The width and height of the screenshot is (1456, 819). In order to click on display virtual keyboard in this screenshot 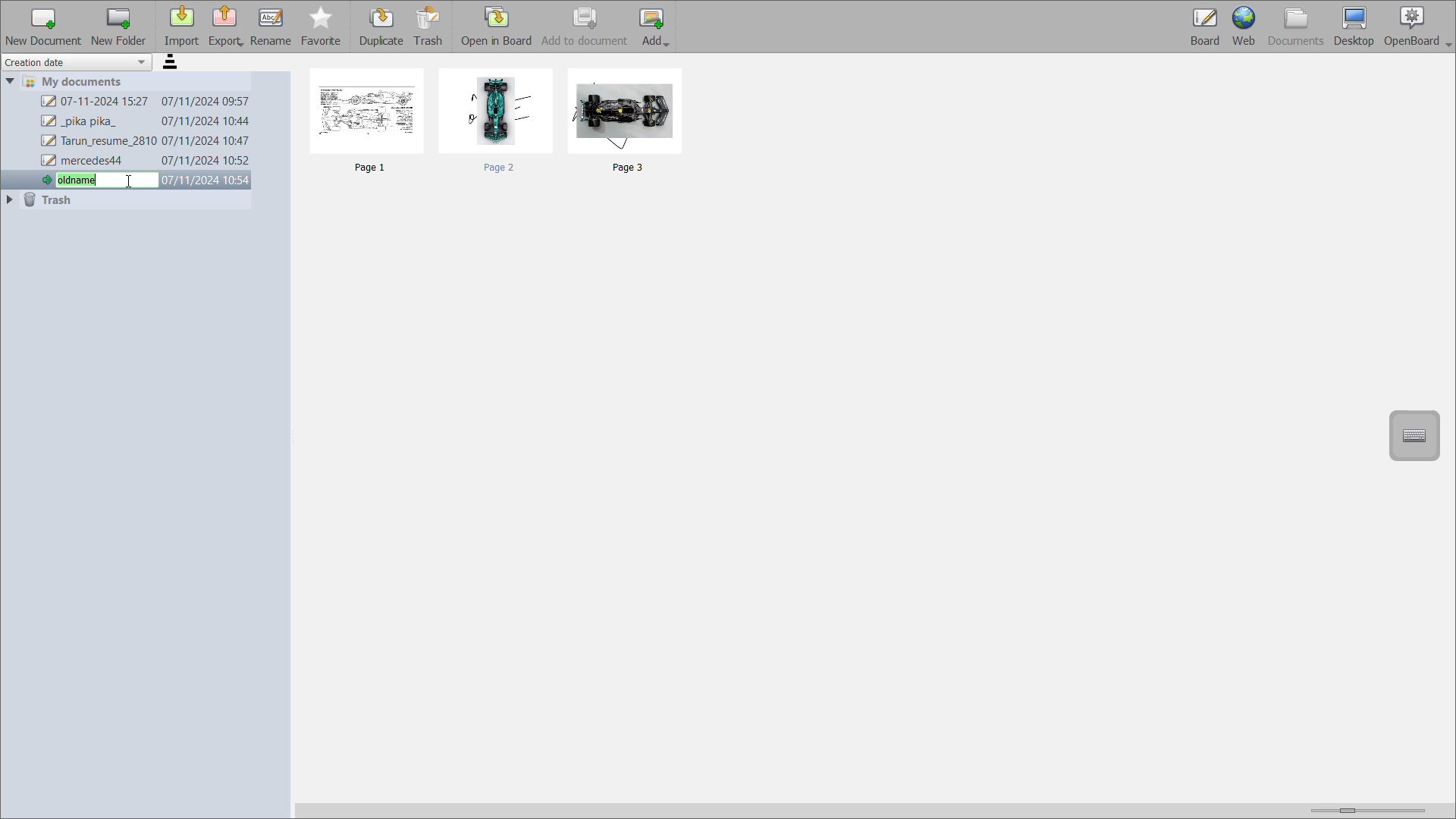, I will do `click(1417, 434)`.